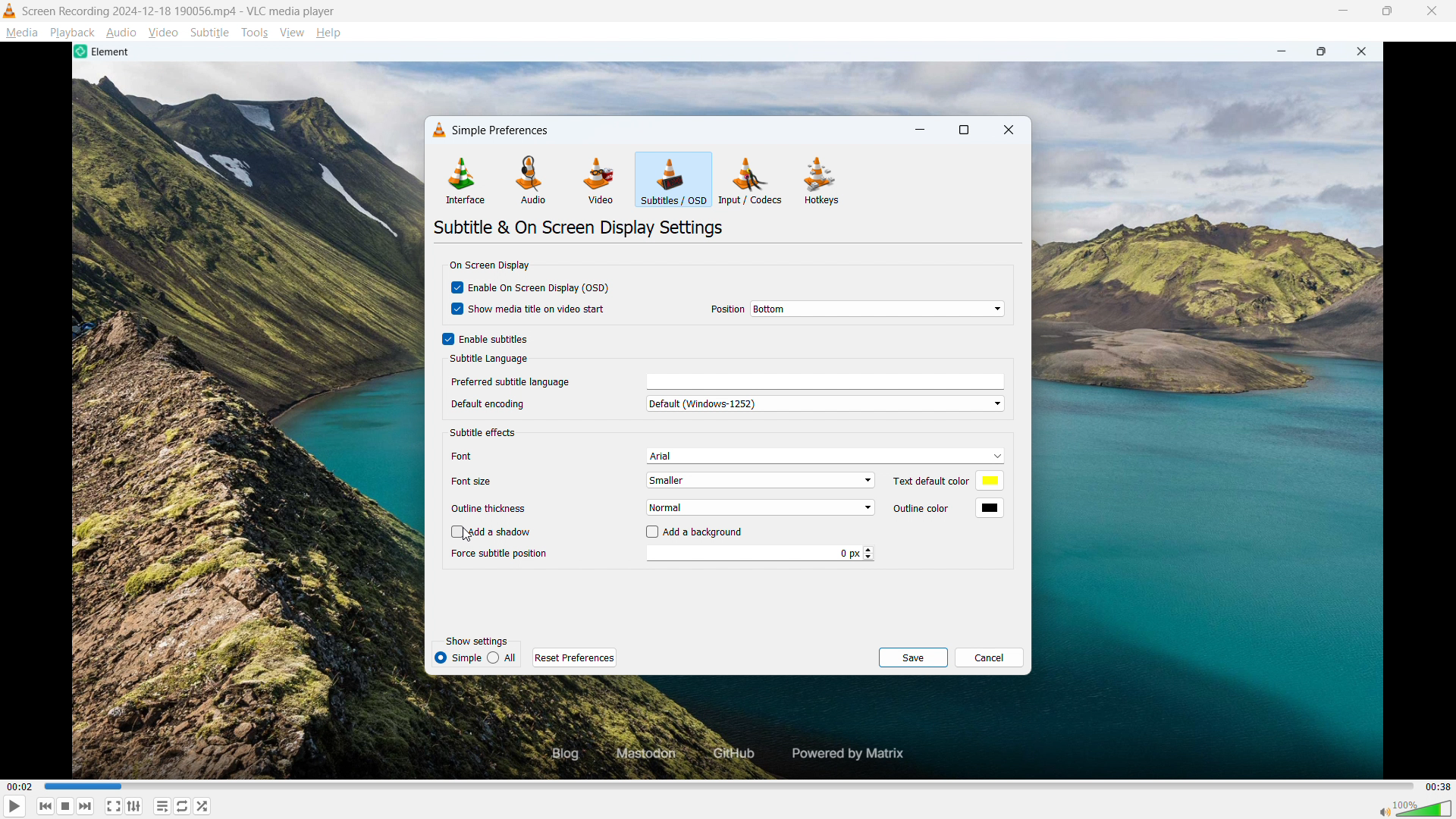 The image size is (1456, 819). I want to click on Vertical scroll bar , so click(1014, 390).